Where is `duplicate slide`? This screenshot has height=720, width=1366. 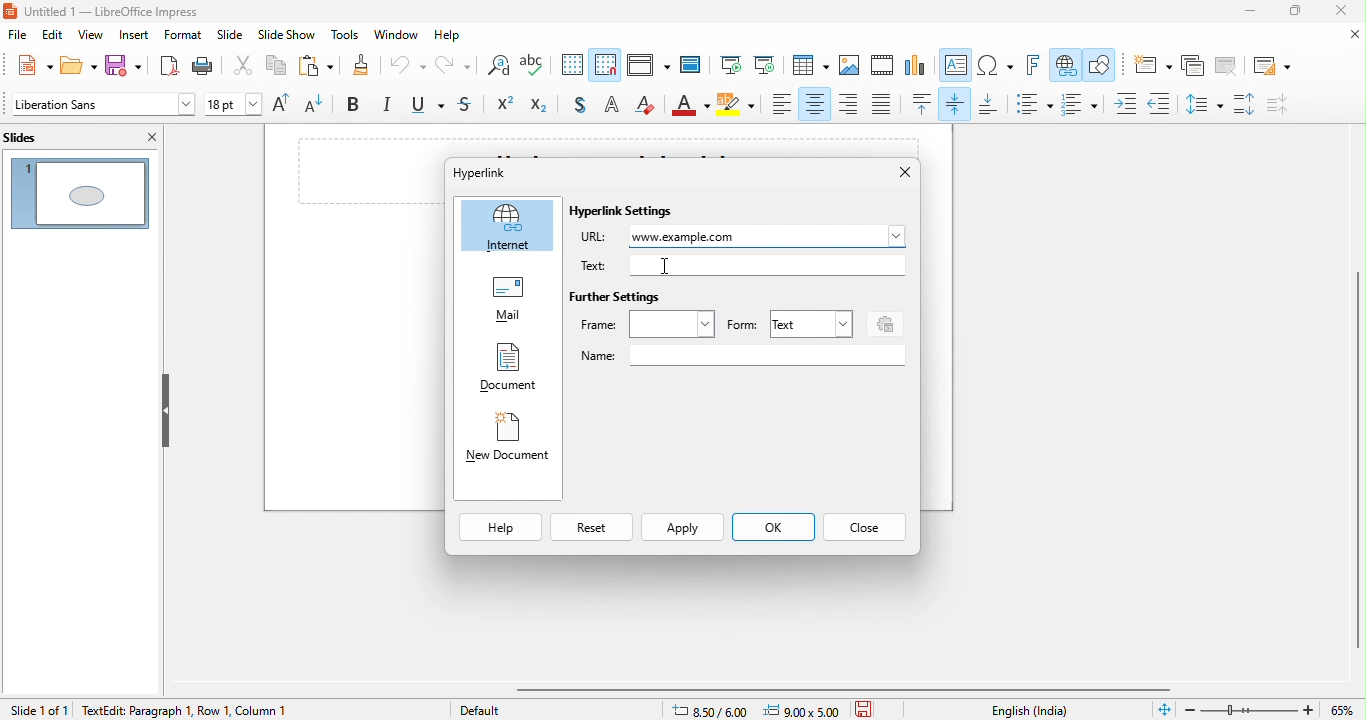 duplicate slide is located at coordinates (1193, 66).